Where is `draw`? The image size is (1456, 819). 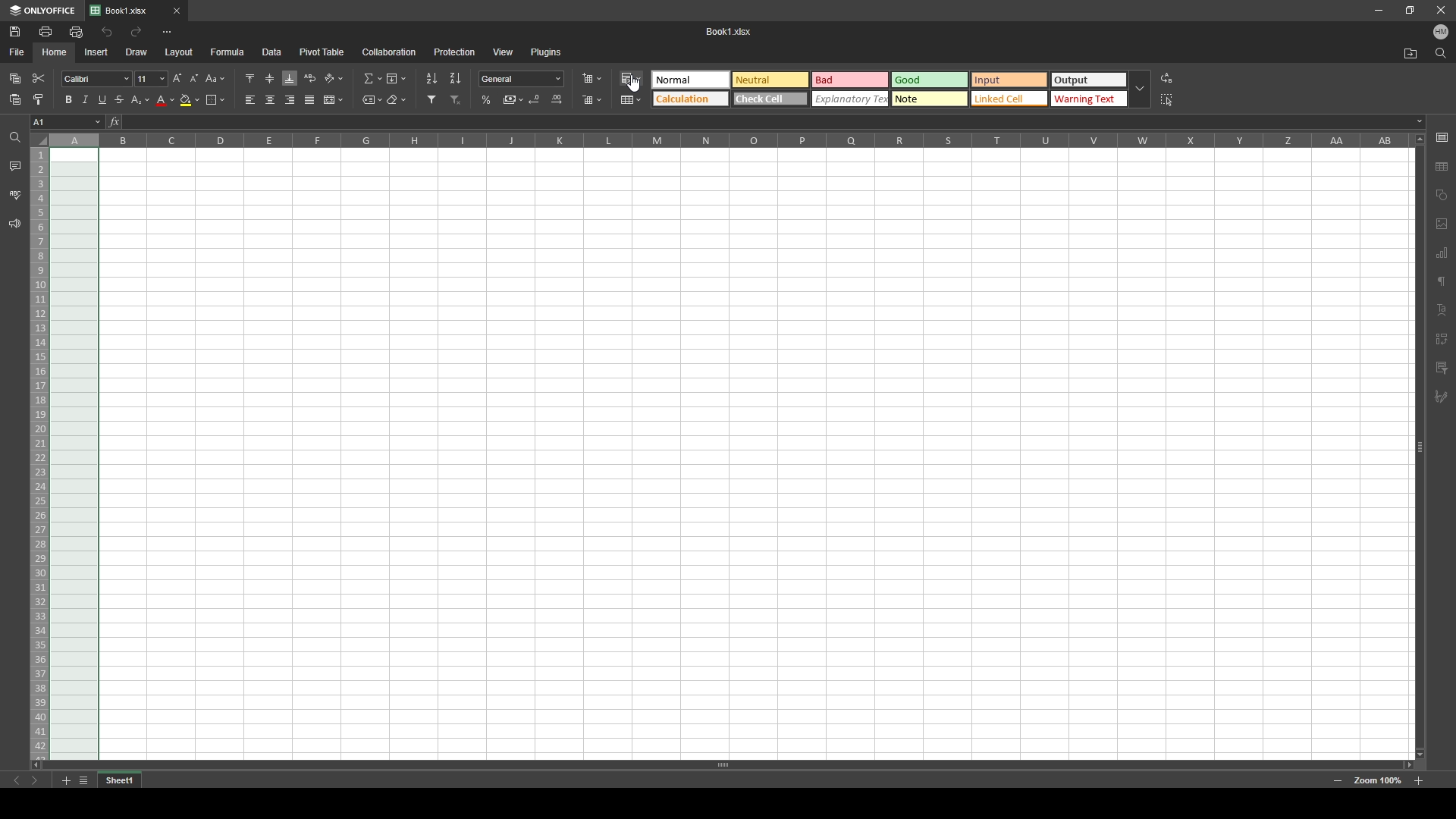
draw is located at coordinates (136, 52).